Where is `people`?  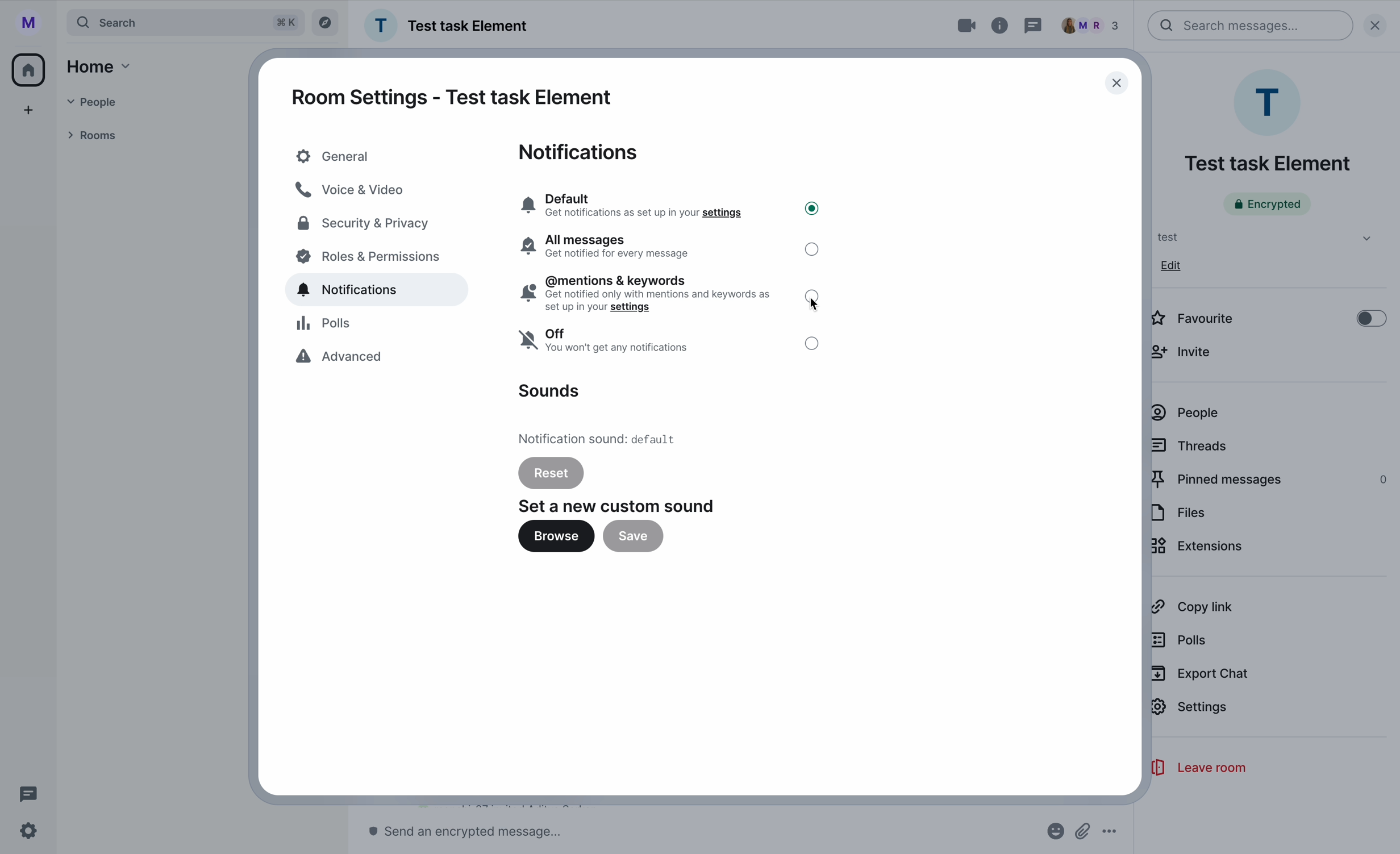
people is located at coordinates (1095, 25).